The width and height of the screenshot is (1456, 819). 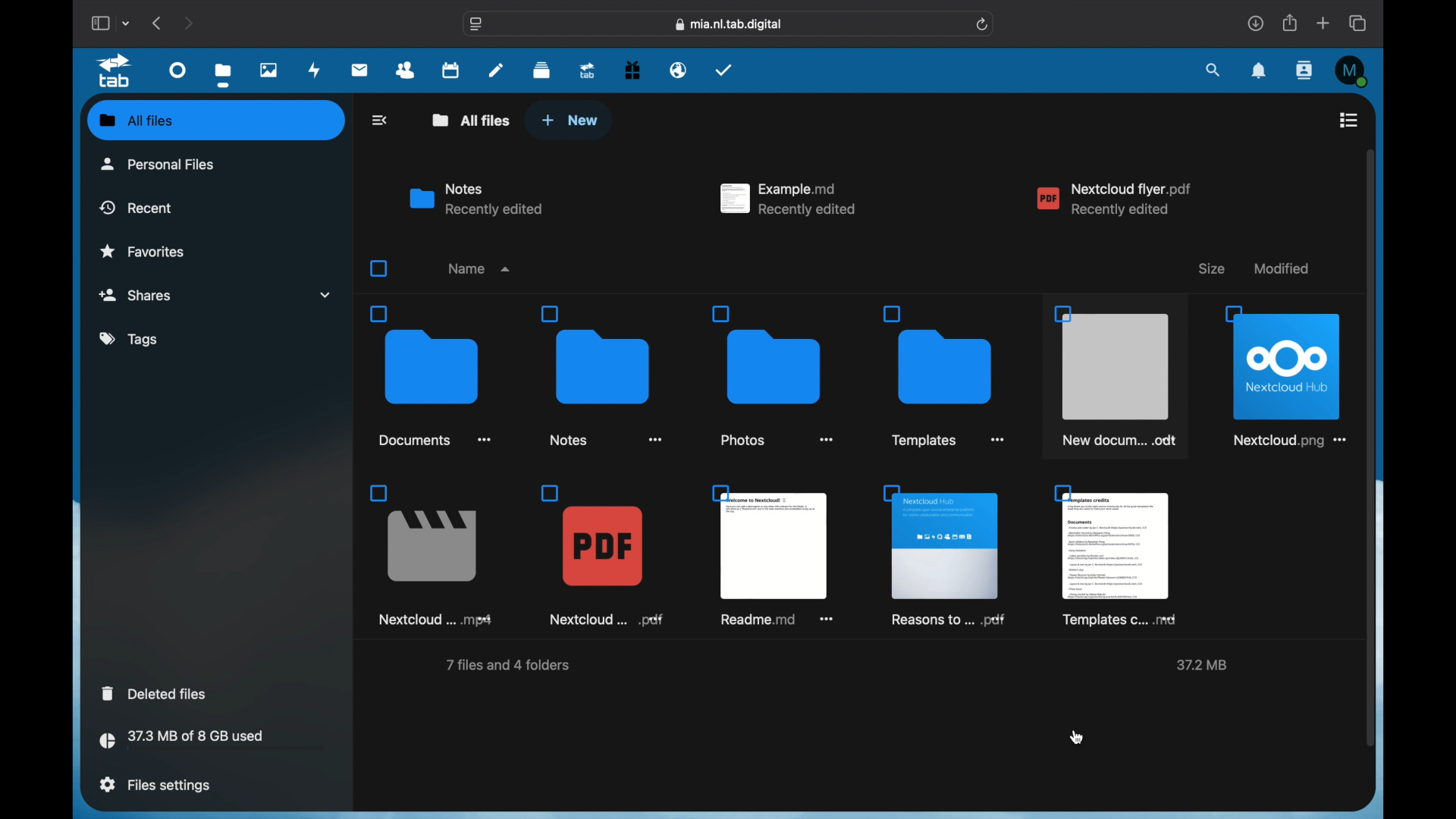 What do you see at coordinates (1260, 71) in the screenshot?
I see `notifications` at bounding box center [1260, 71].